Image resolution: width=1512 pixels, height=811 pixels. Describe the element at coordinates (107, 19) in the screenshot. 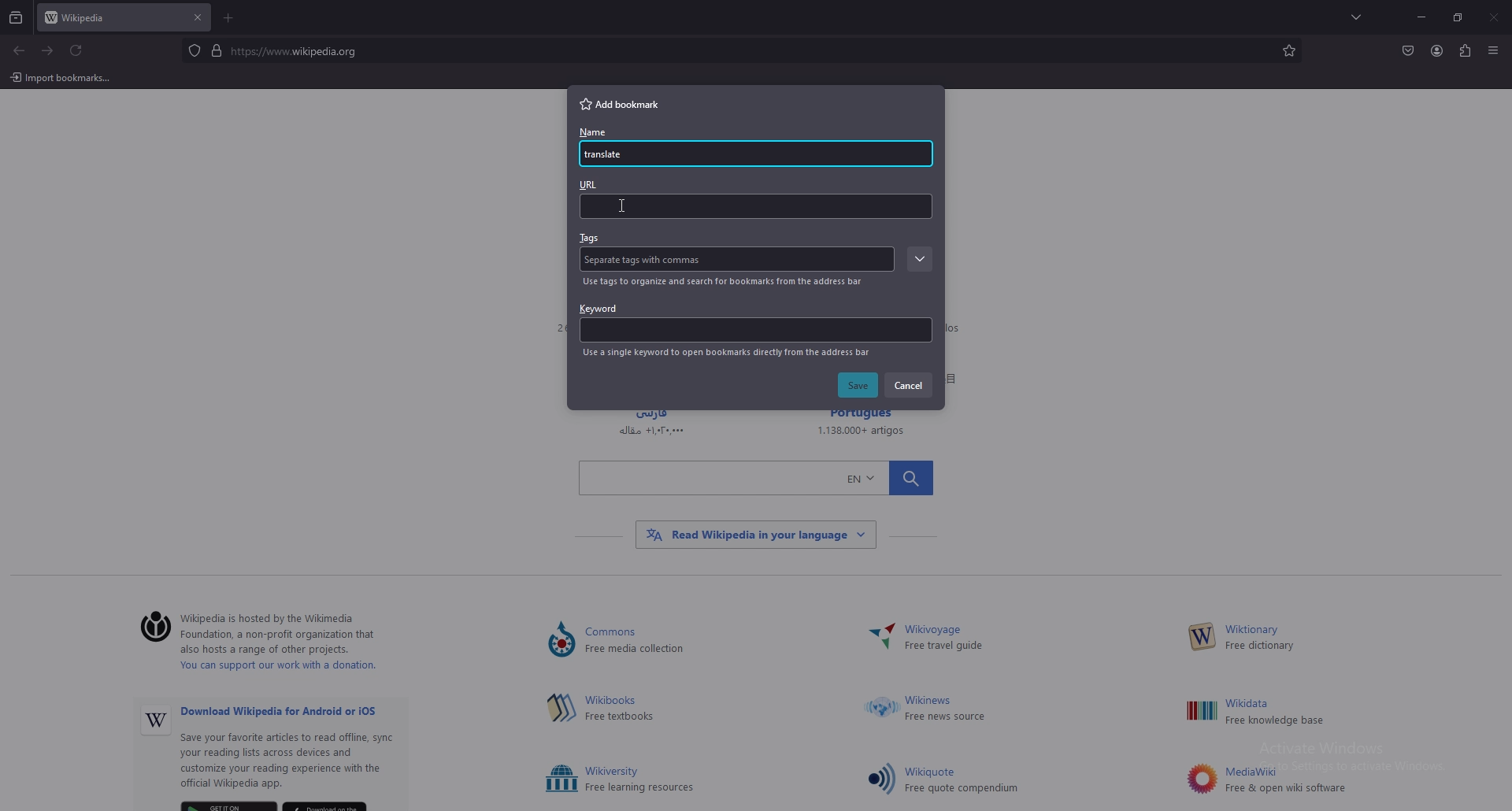

I see `tab` at that location.